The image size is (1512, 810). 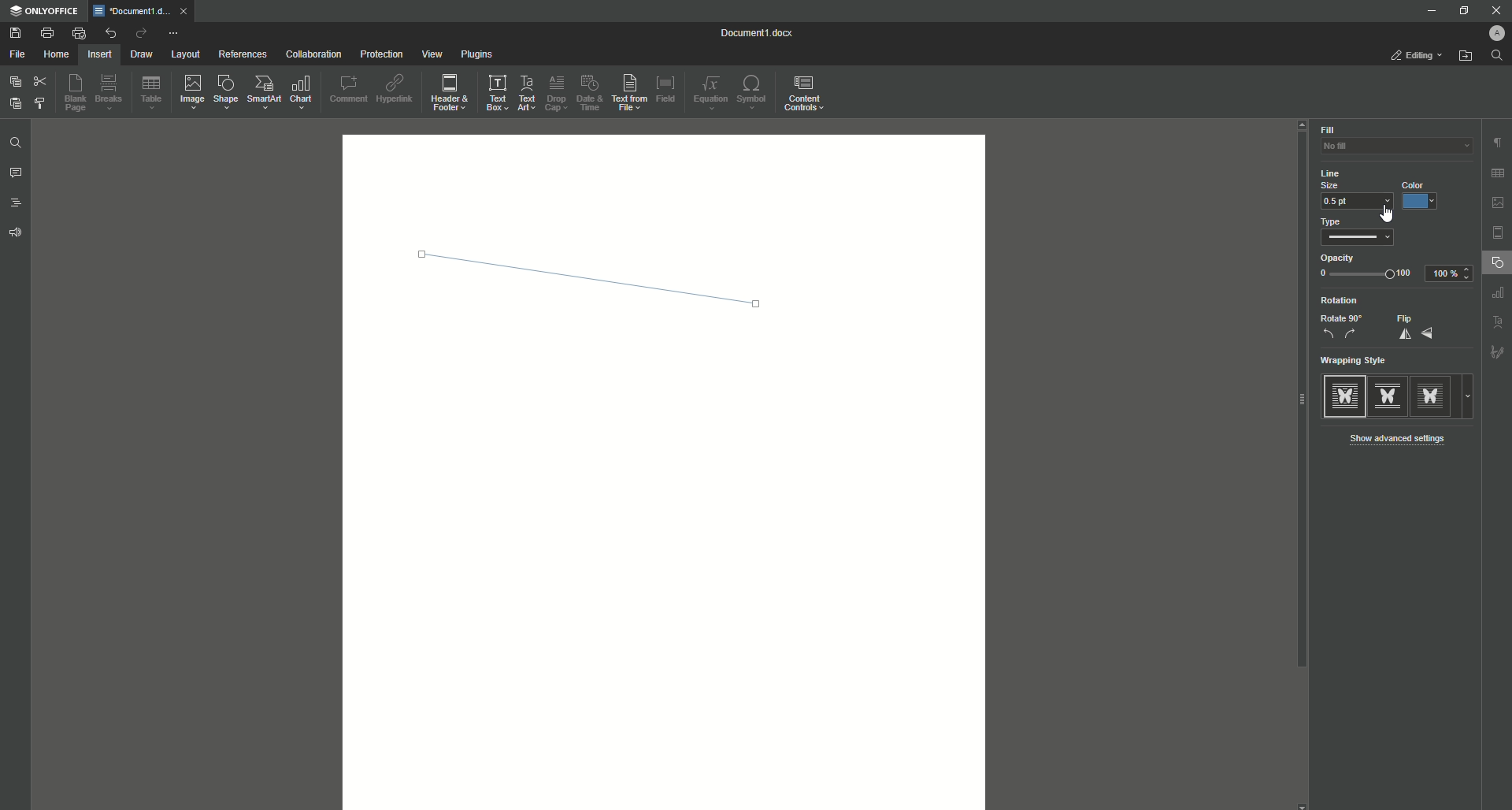 What do you see at coordinates (478, 55) in the screenshot?
I see `Plugins` at bounding box center [478, 55].